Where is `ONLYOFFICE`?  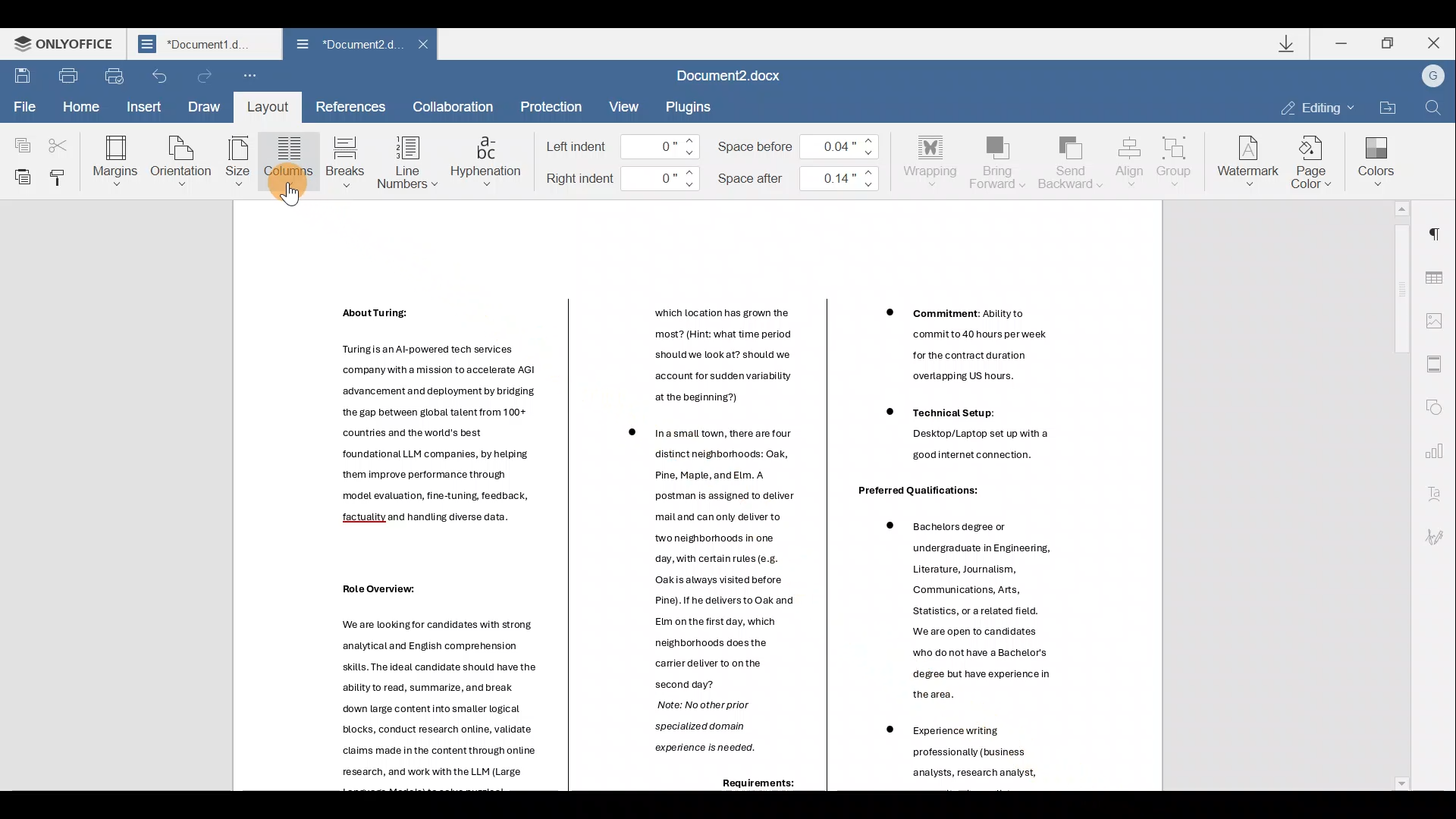 ONLYOFFICE is located at coordinates (67, 47).